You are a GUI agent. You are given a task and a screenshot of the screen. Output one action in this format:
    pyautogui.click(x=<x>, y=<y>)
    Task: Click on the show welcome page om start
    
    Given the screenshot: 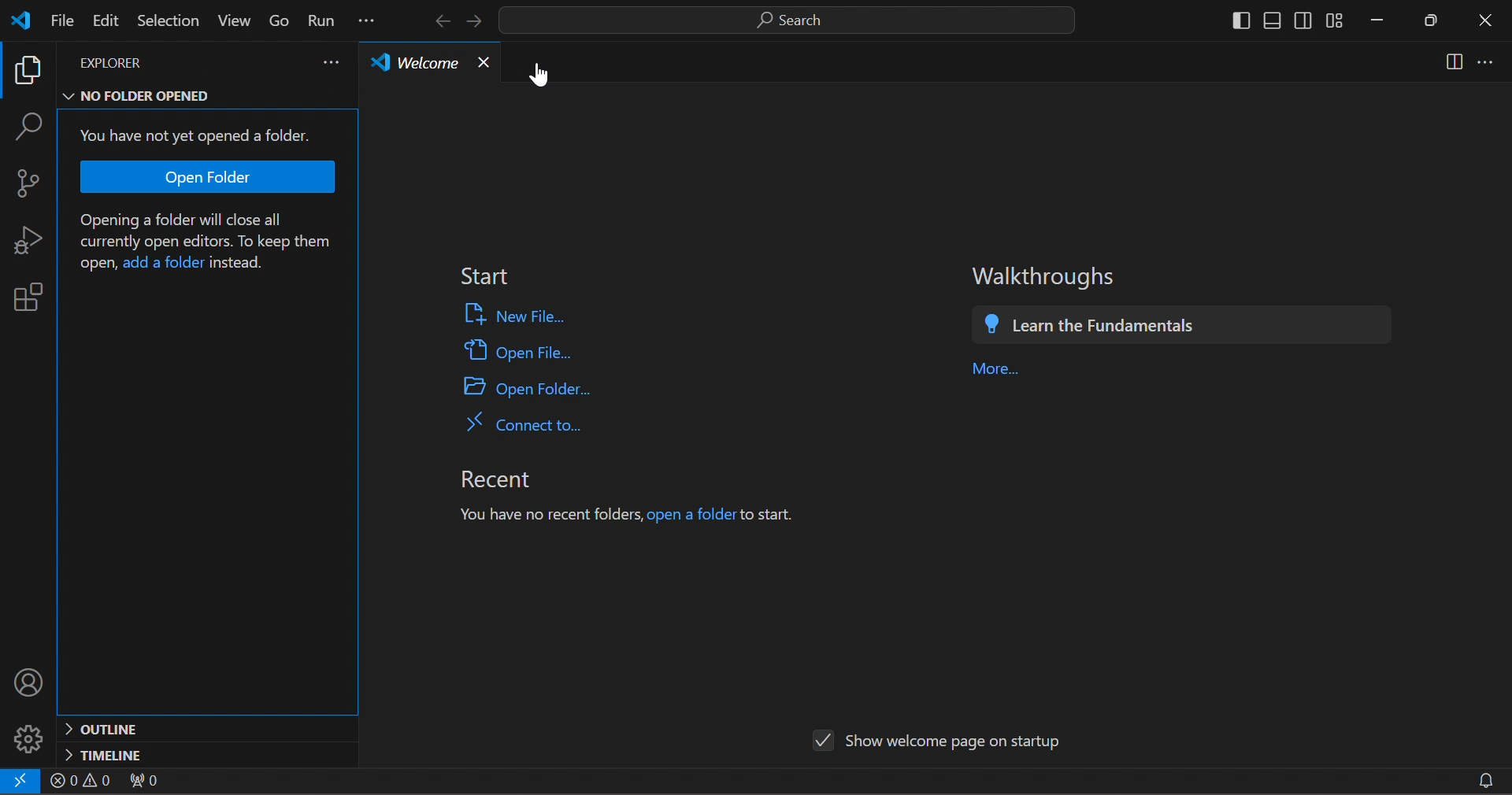 What is the action you would take?
    pyautogui.click(x=938, y=739)
    